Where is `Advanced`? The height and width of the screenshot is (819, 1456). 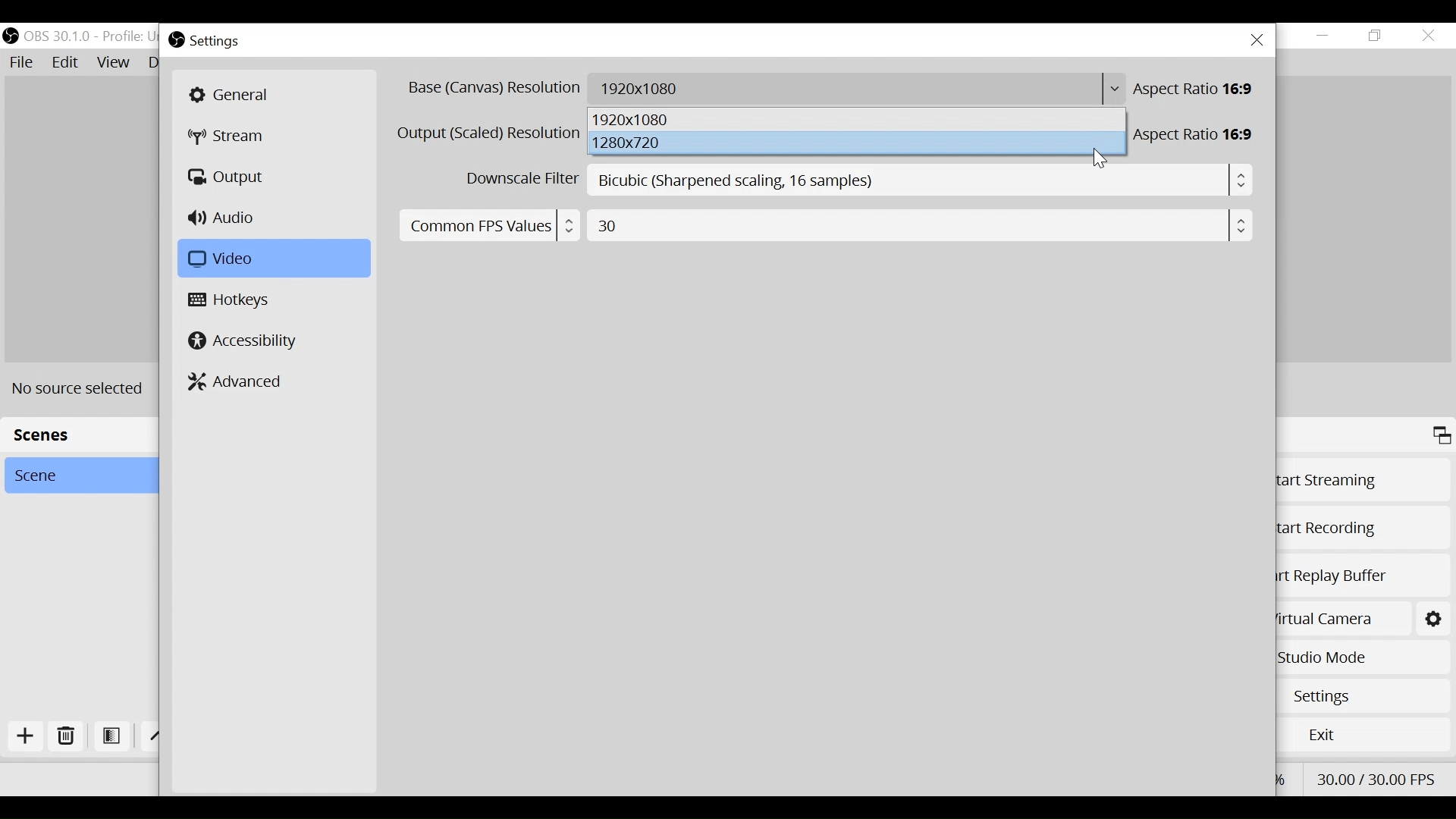
Advanced is located at coordinates (237, 381).